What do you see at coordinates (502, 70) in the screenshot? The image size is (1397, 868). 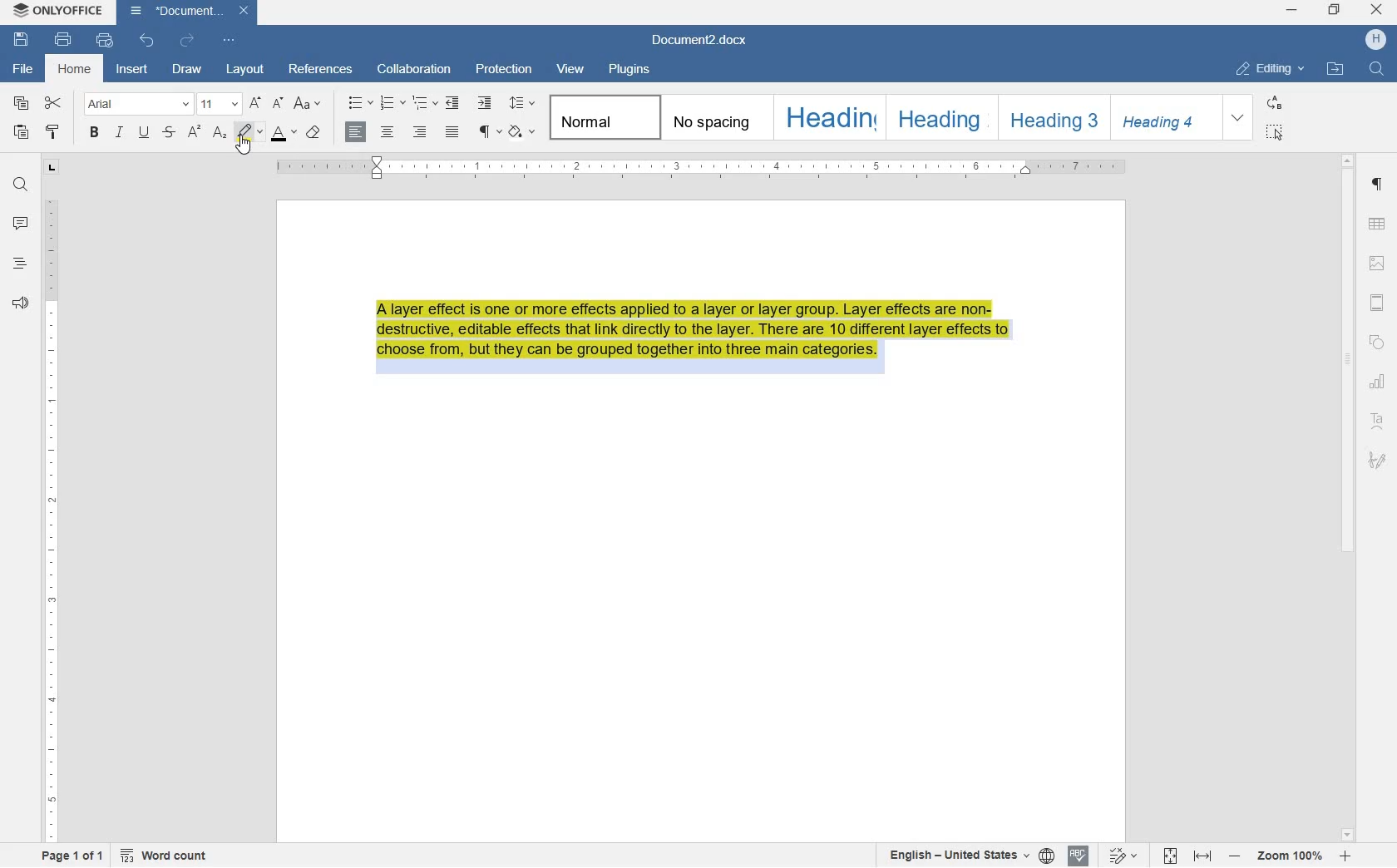 I see `PROTECTION` at bounding box center [502, 70].